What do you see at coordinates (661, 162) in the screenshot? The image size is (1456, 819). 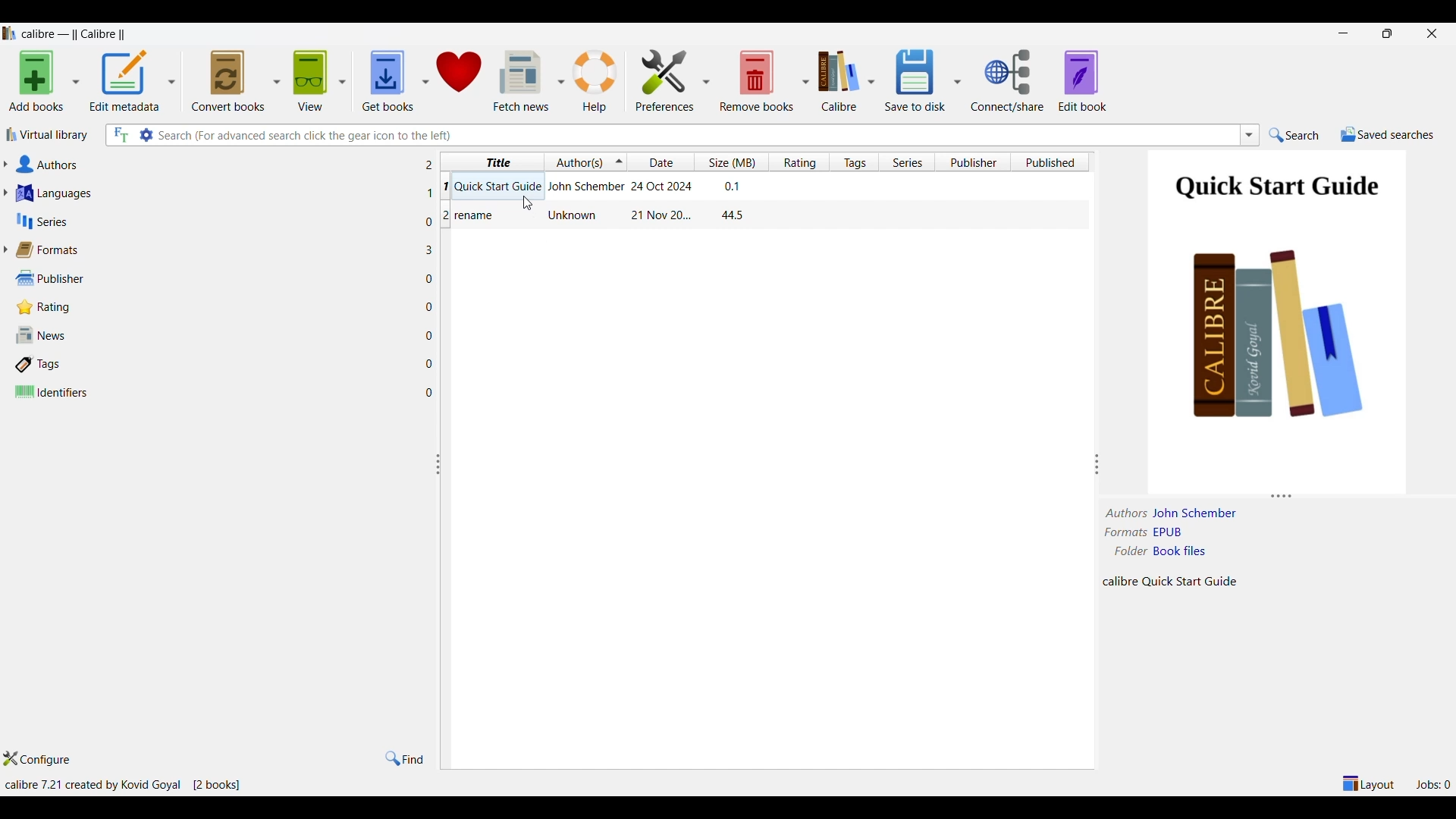 I see `Date column` at bounding box center [661, 162].